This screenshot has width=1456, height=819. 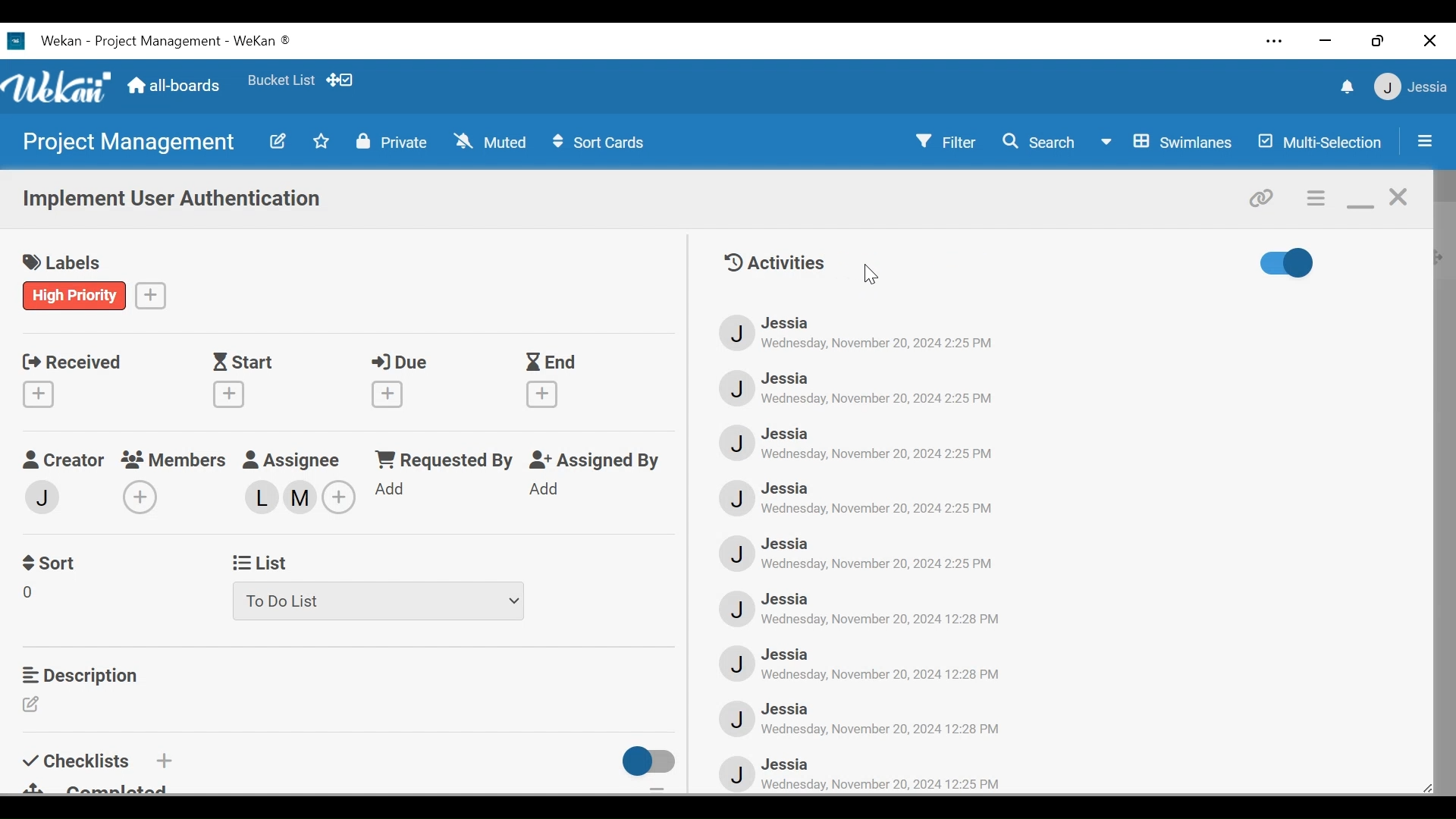 What do you see at coordinates (1358, 198) in the screenshot?
I see `minimize` at bounding box center [1358, 198].